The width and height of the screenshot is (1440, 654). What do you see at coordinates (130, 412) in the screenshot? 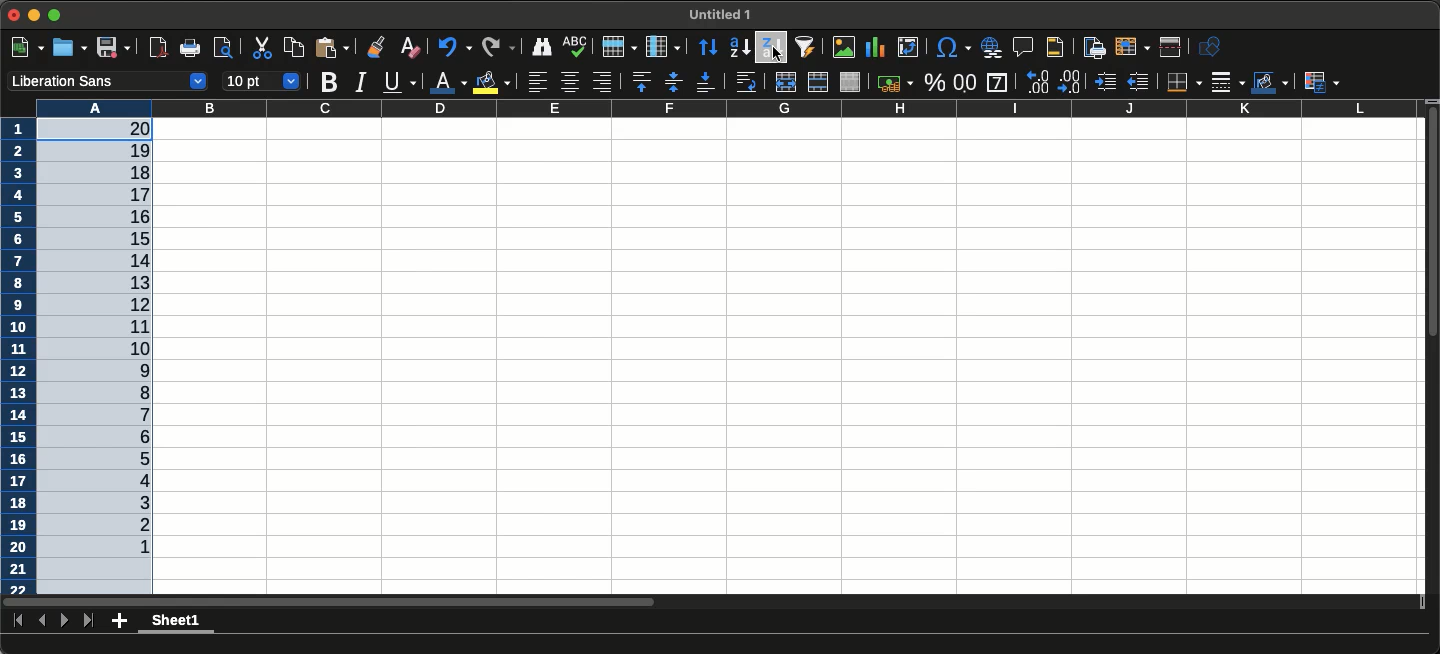
I see `14` at bounding box center [130, 412].